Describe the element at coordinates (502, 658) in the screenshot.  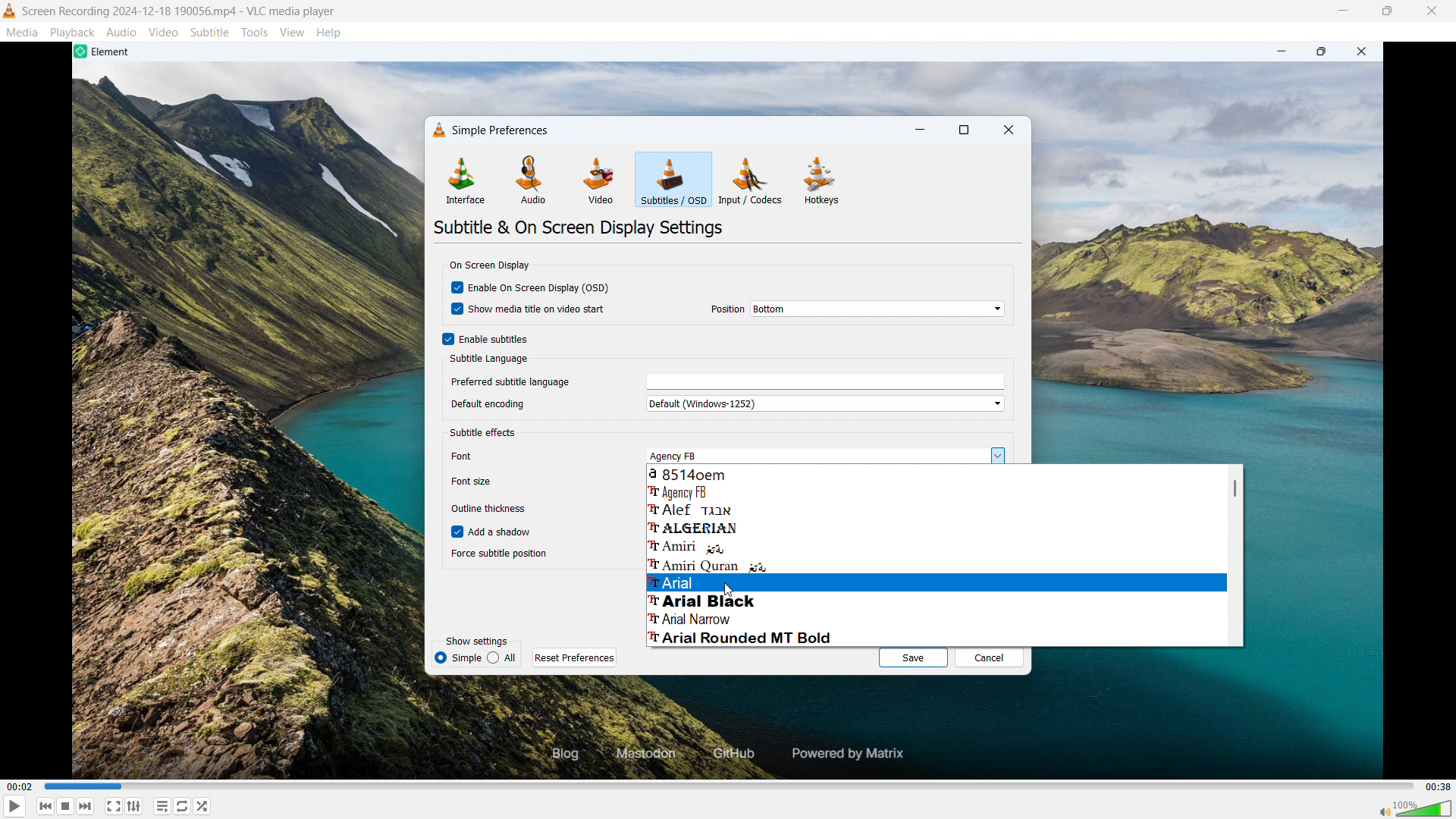
I see `simple` at that location.